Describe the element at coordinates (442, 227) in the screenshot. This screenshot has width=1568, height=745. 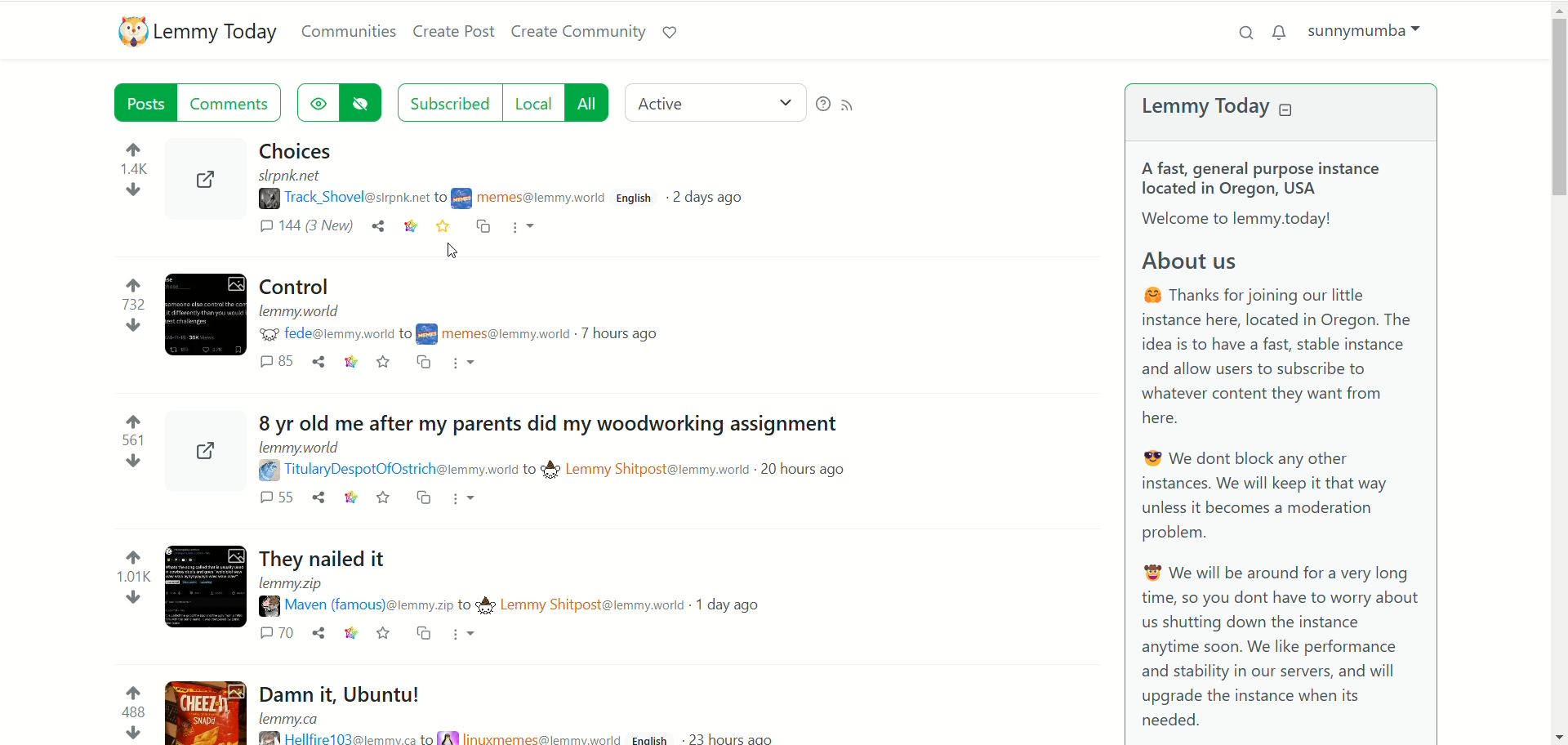
I see `save (book marked)` at that location.